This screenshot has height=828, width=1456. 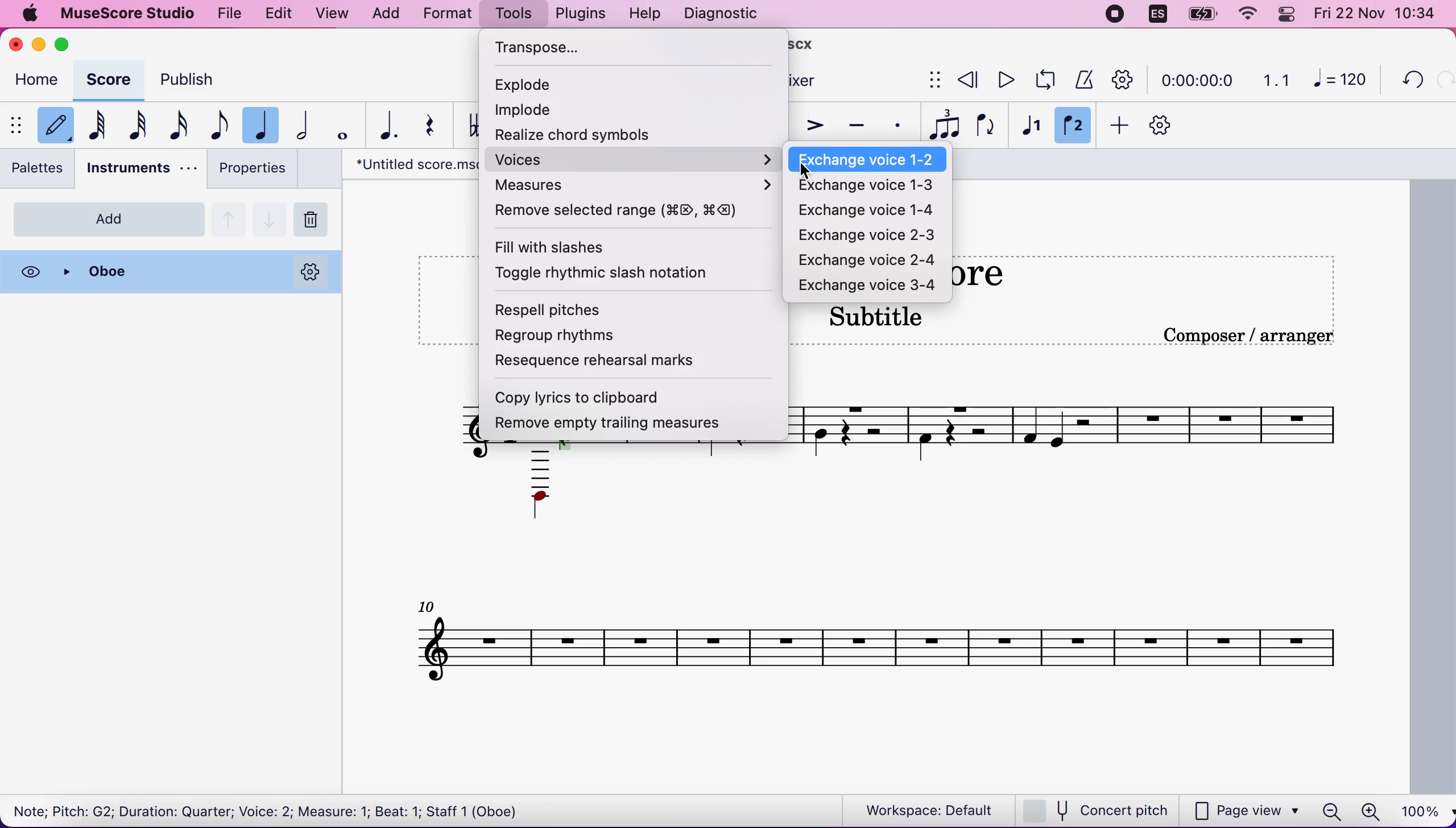 I want to click on text, so click(x=1246, y=338).